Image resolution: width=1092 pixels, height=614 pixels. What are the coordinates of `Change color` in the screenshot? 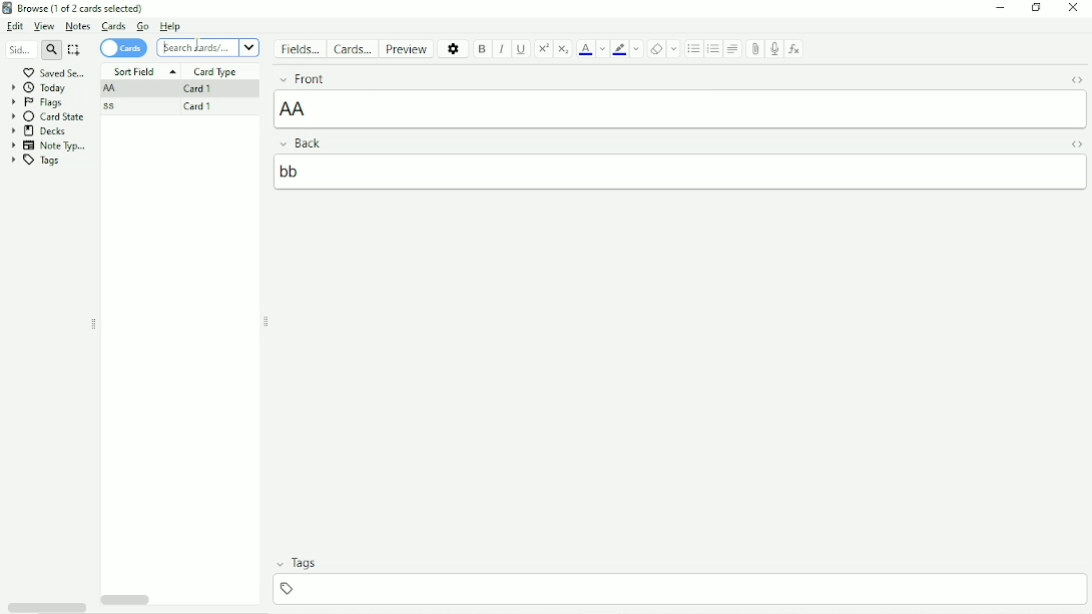 It's located at (602, 49).